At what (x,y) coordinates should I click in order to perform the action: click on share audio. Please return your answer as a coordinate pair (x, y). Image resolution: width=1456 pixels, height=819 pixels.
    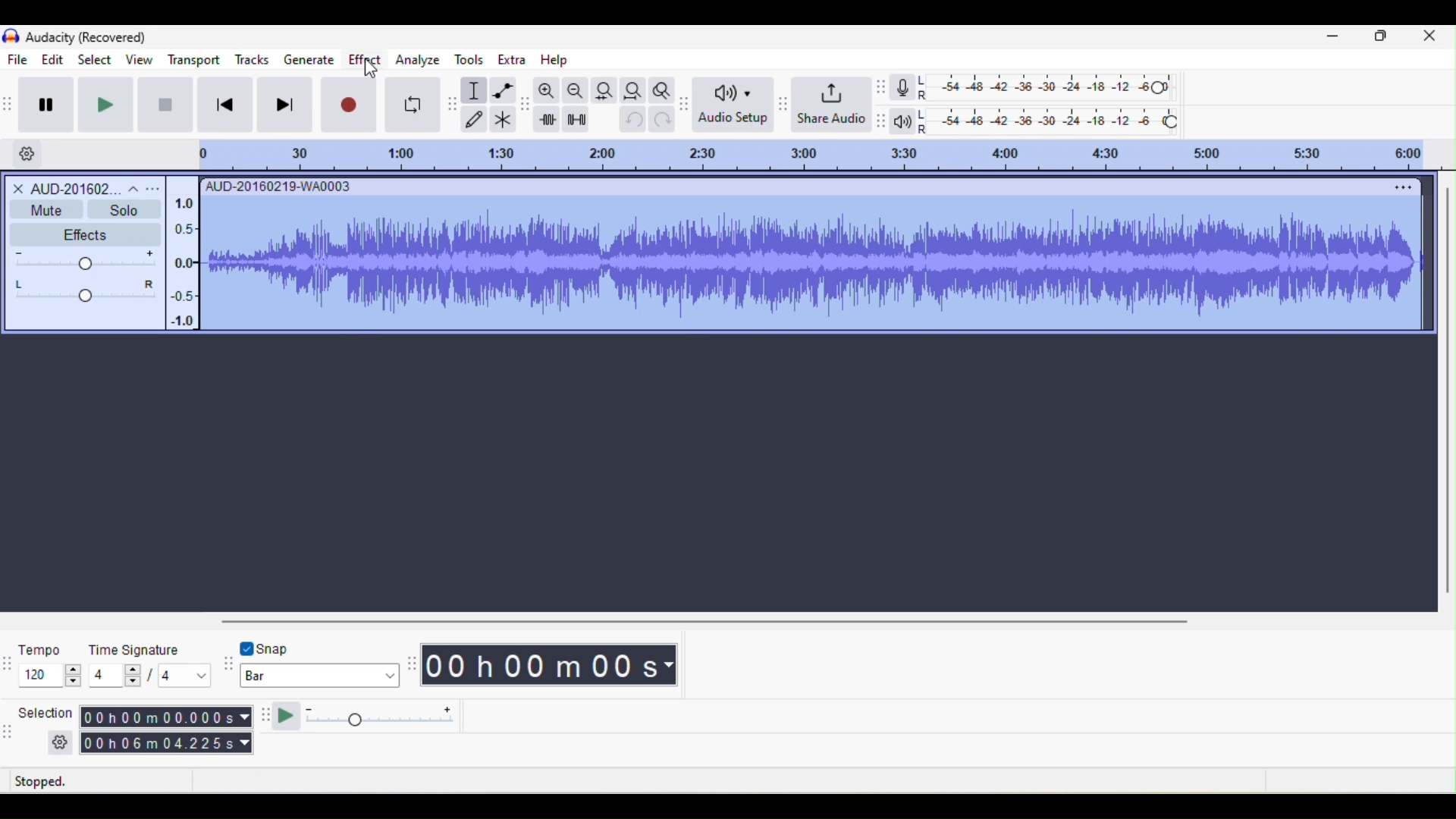
    Looking at the image, I should click on (832, 102).